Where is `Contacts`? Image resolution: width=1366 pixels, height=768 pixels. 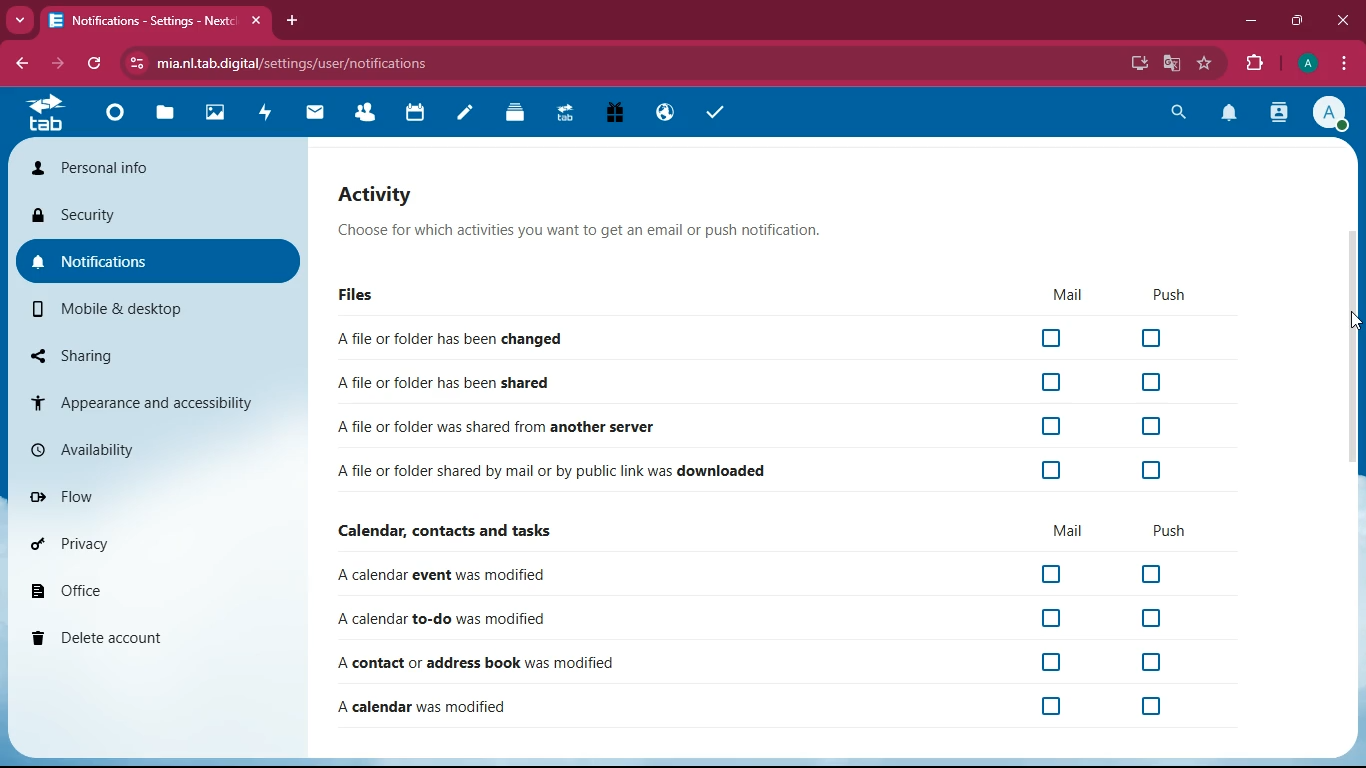 Contacts is located at coordinates (366, 114).